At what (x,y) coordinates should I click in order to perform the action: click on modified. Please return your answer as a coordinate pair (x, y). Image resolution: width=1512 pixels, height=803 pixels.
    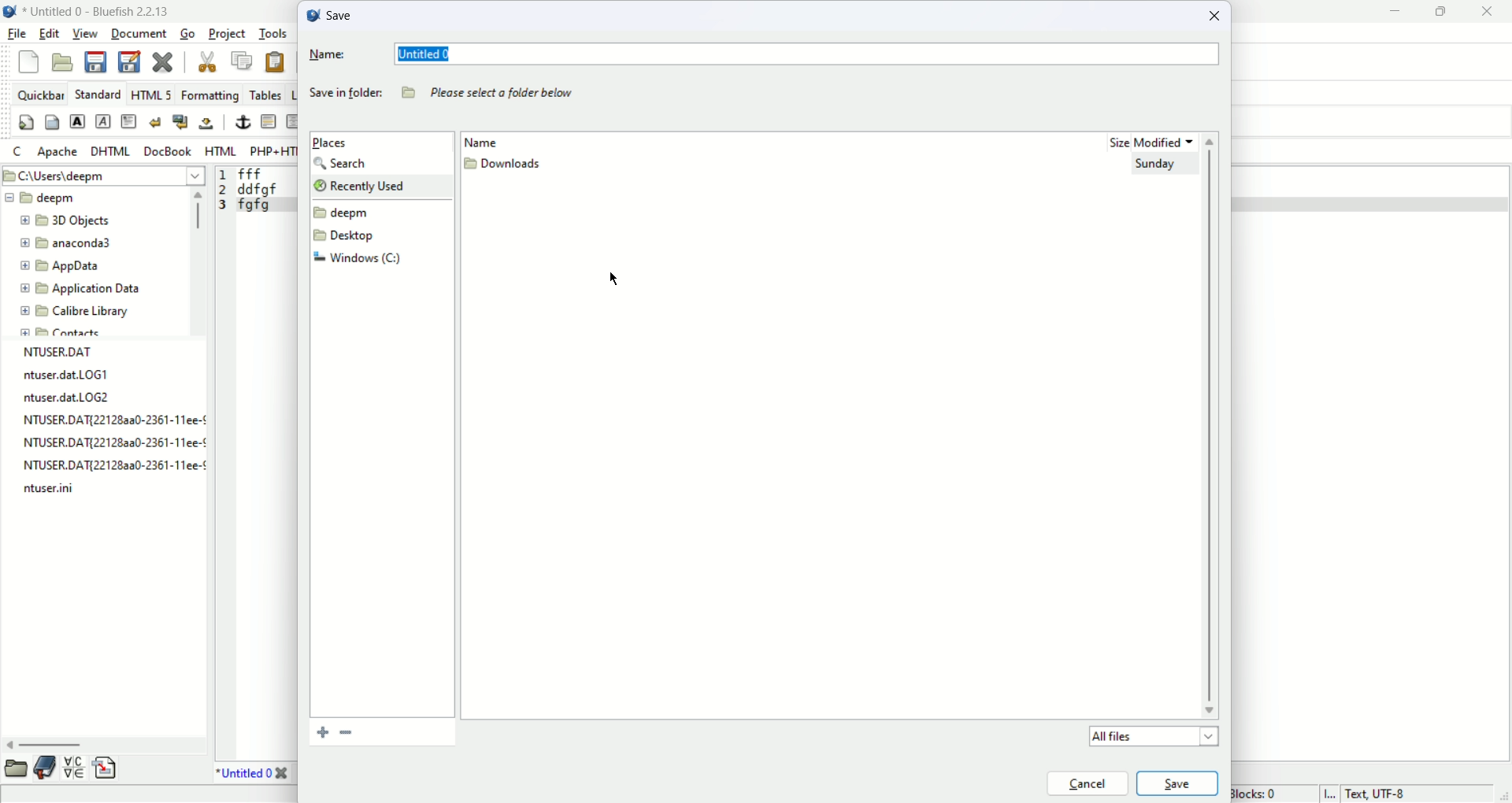
    Looking at the image, I should click on (1169, 139).